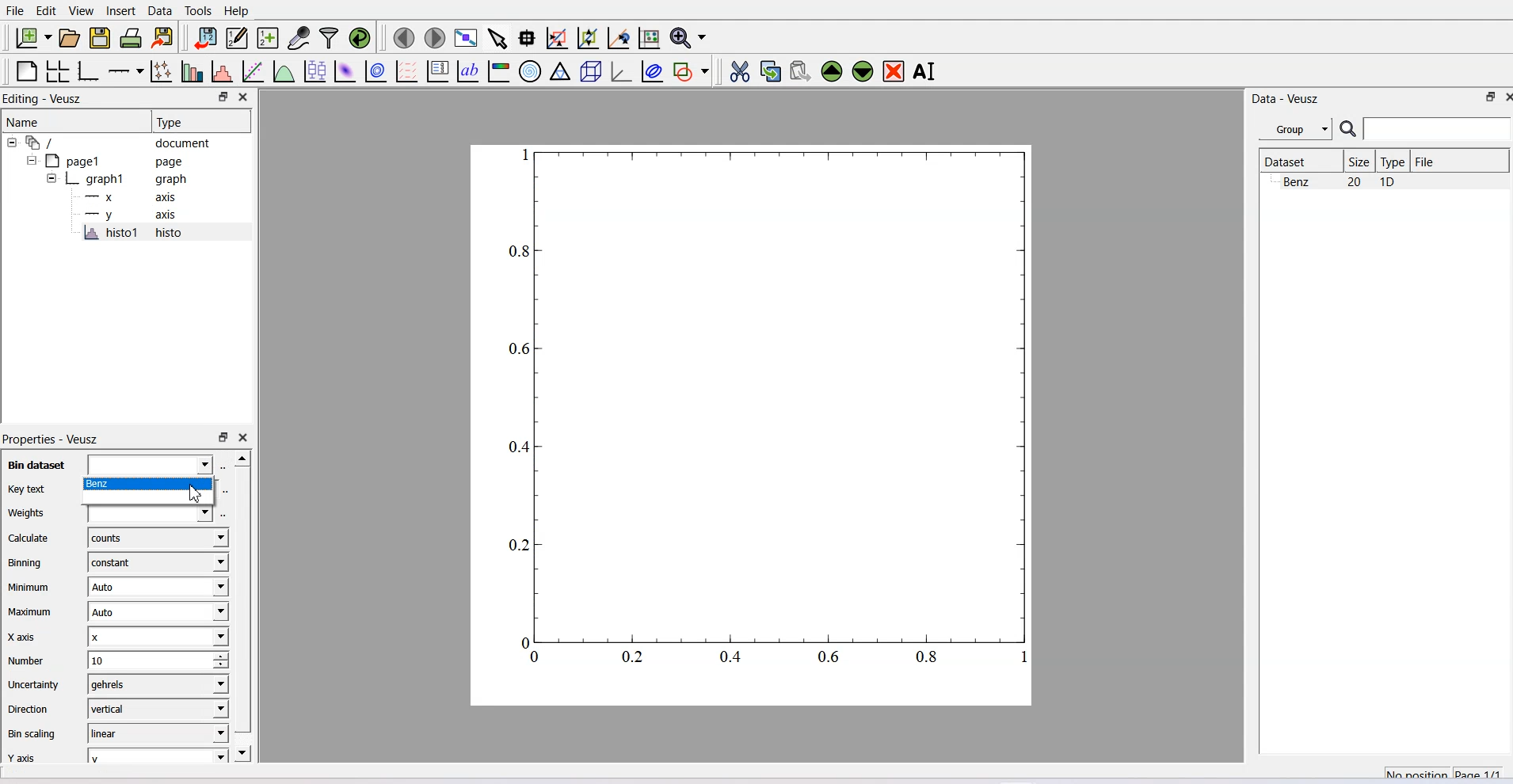 This screenshot has height=784, width=1513. What do you see at coordinates (1360, 161) in the screenshot?
I see `Size` at bounding box center [1360, 161].